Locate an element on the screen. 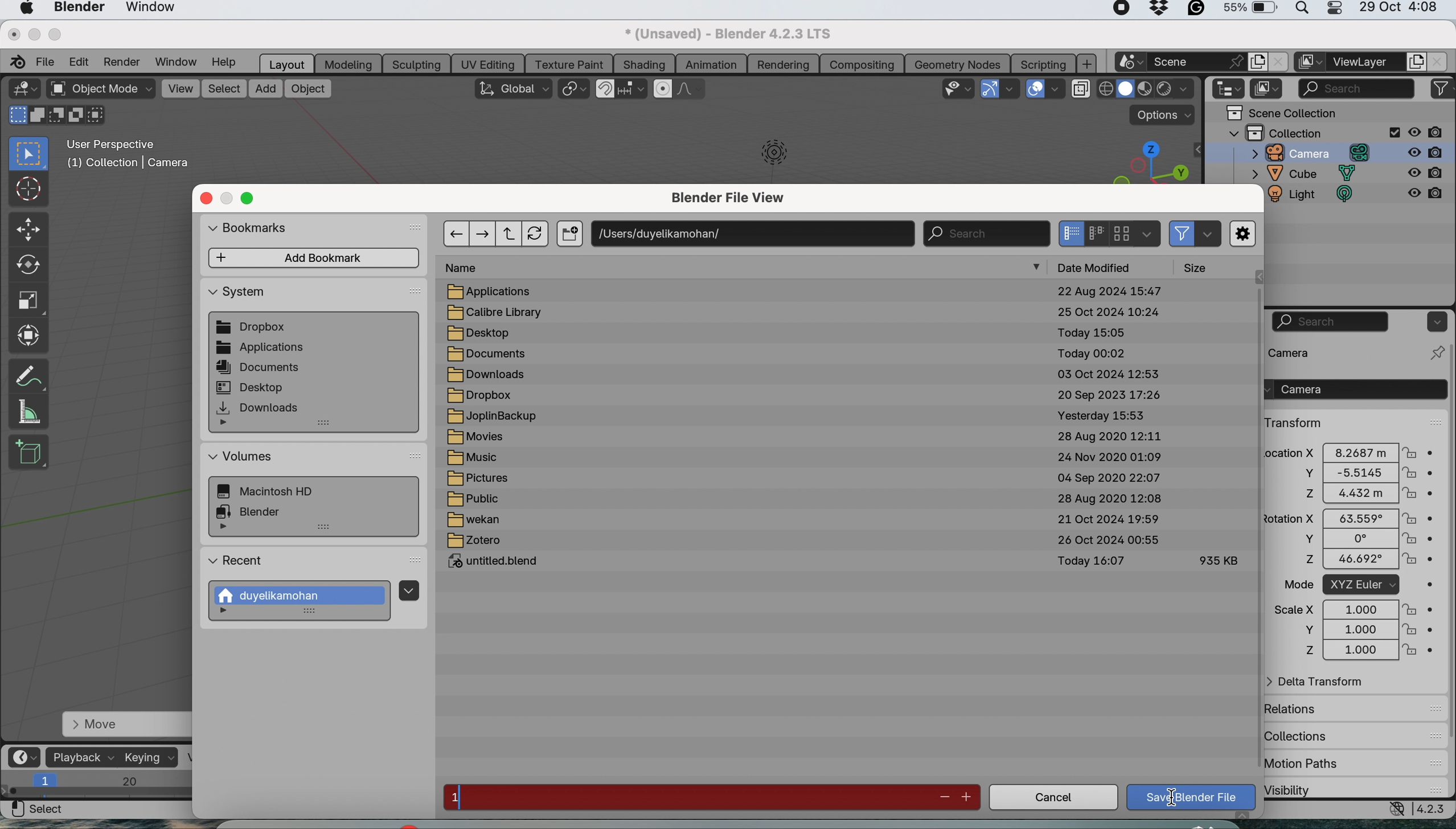 This screenshot has height=829, width=1456. search is located at coordinates (1331, 322).